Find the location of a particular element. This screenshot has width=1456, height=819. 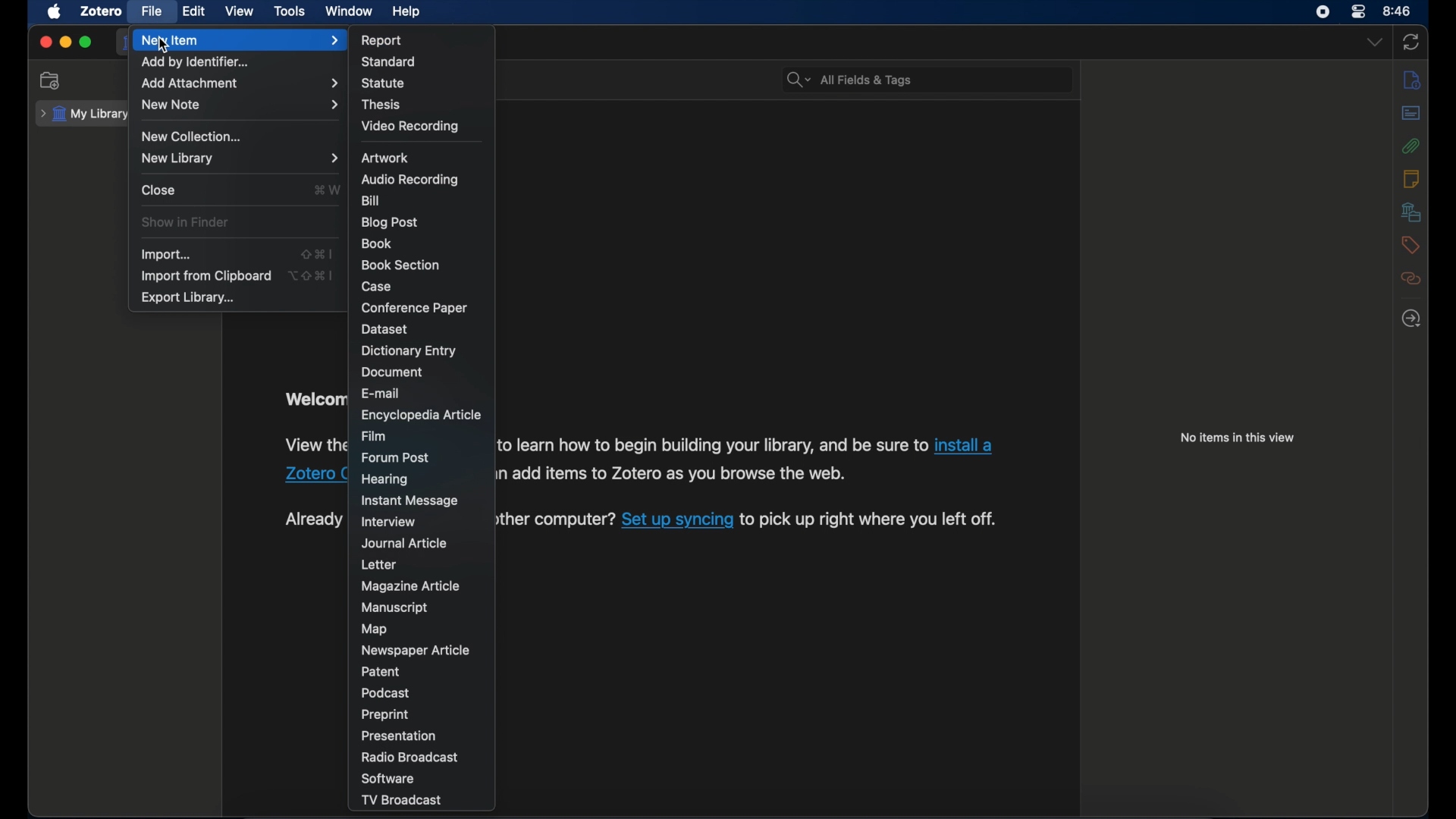

cursor on new Item is located at coordinates (170, 47).